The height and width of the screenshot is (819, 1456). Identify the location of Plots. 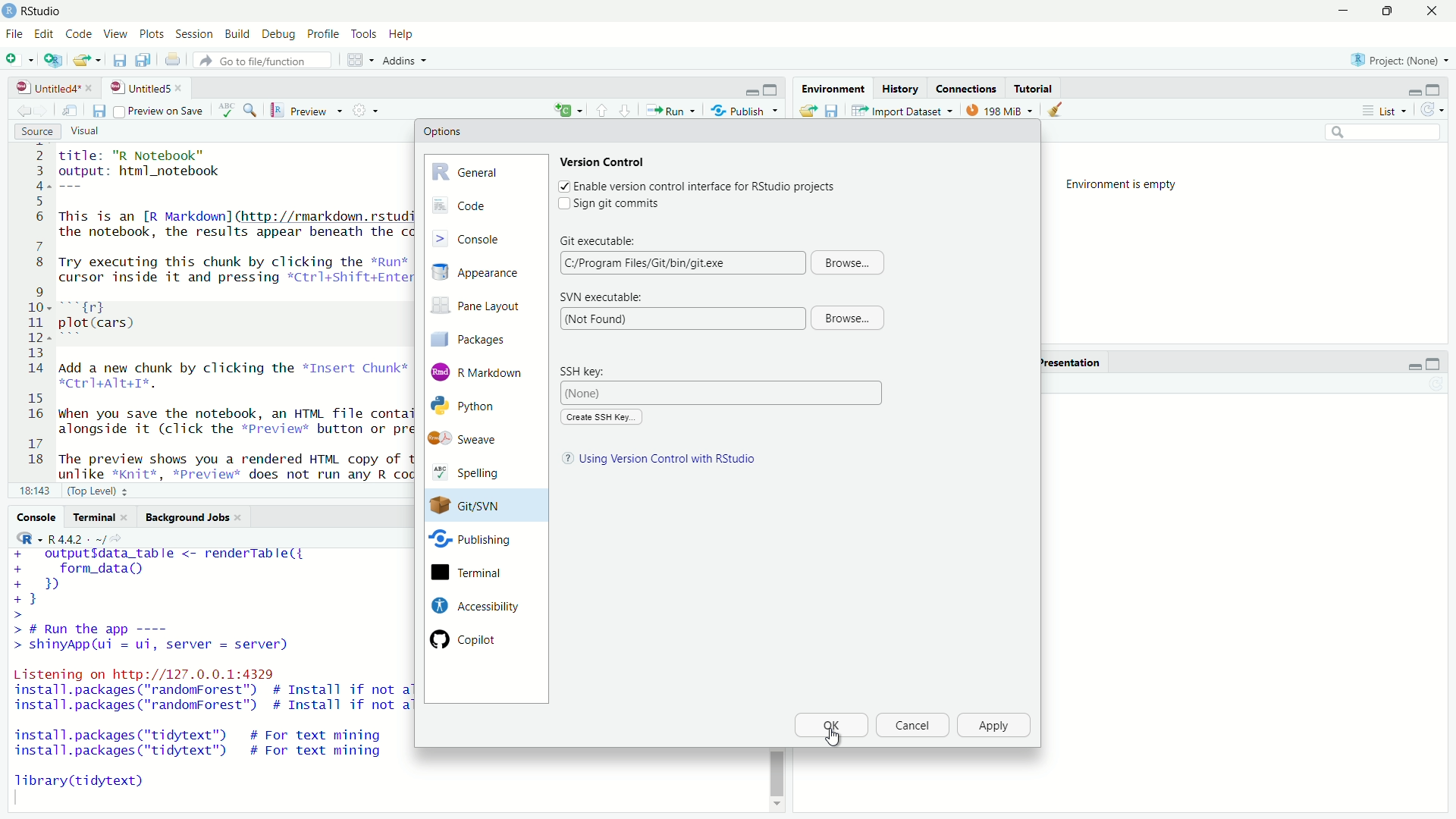
(152, 35).